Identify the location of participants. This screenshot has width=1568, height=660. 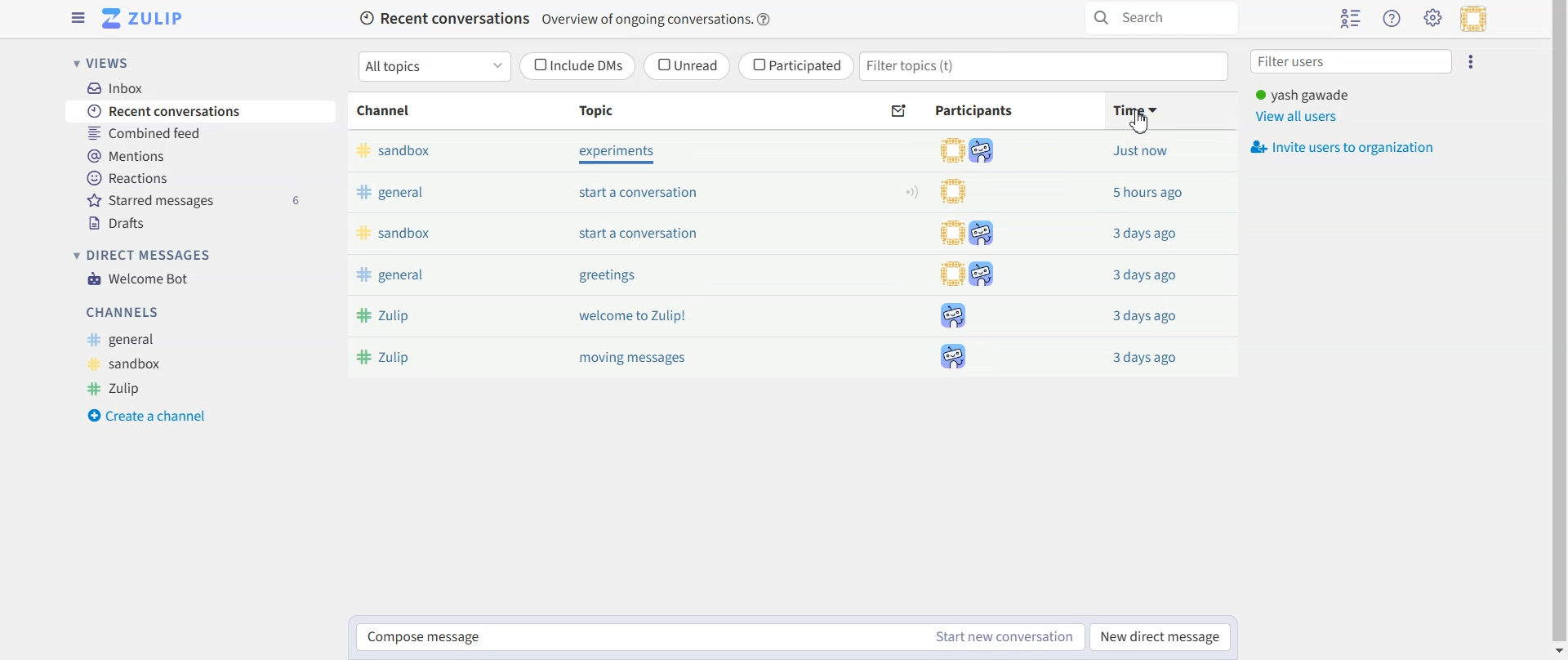
(973, 151).